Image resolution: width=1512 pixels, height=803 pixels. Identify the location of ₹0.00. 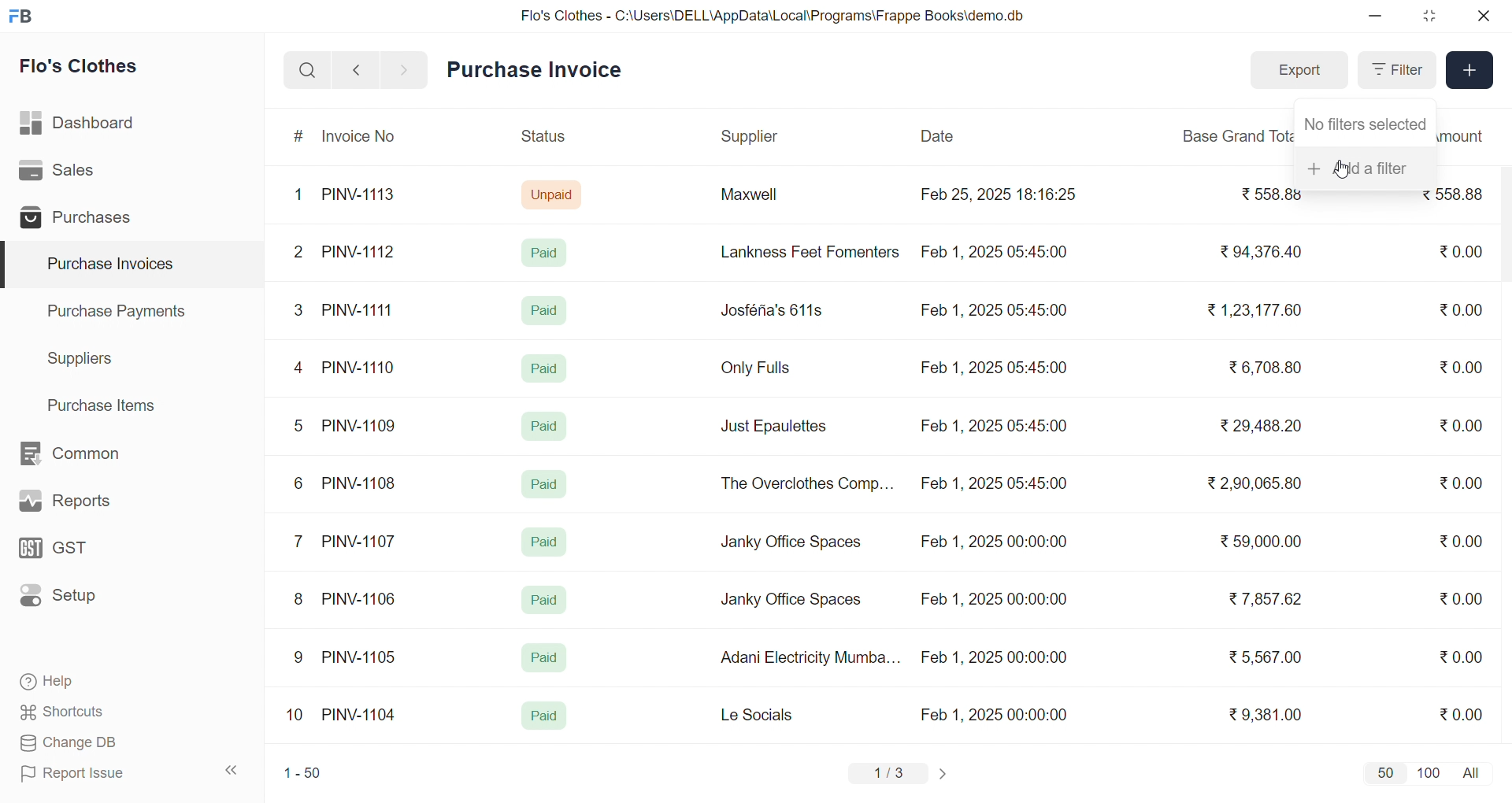
(1462, 656).